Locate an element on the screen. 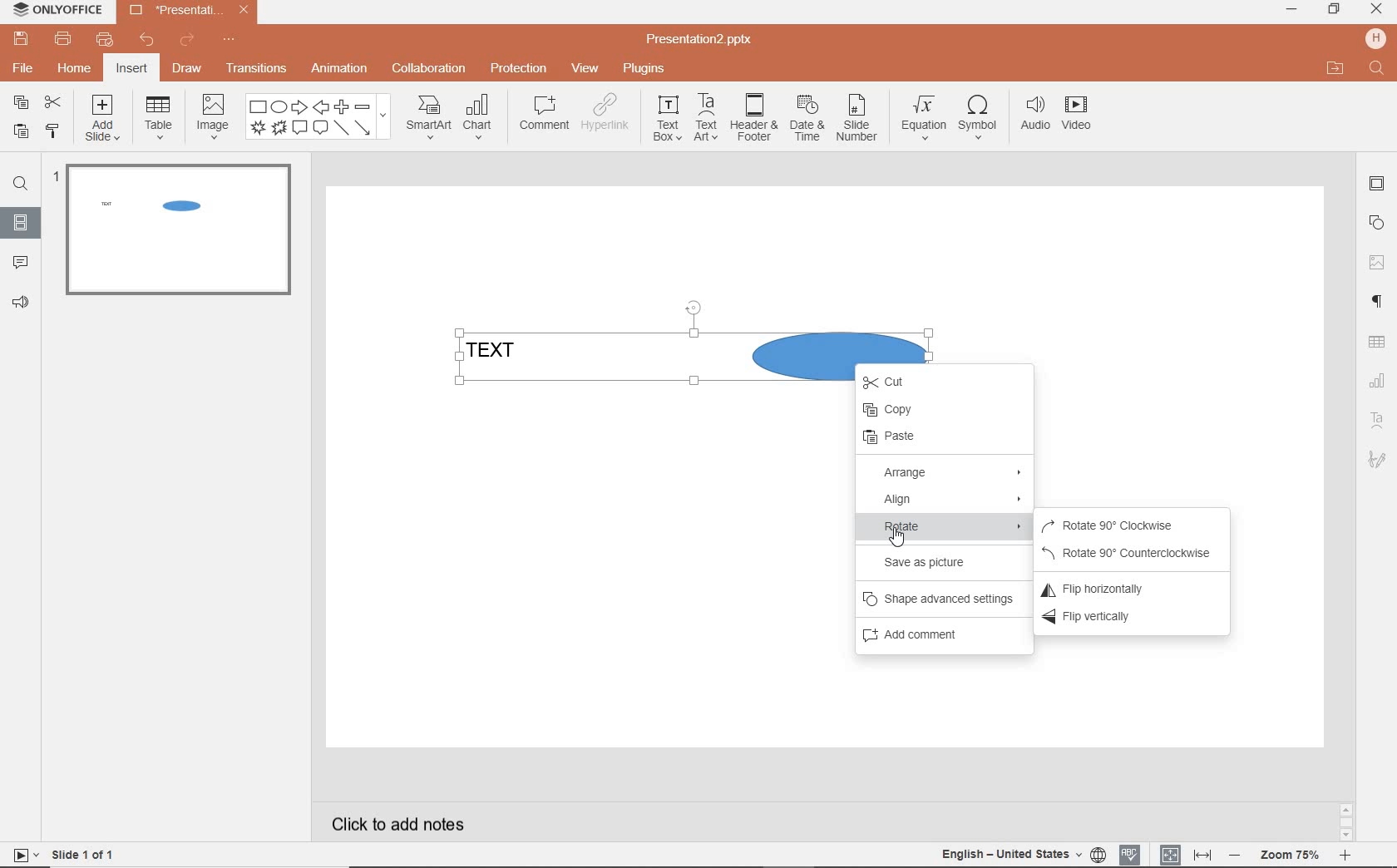 This screenshot has width=1397, height=868. Signature is located at coordinates (1376, 460).